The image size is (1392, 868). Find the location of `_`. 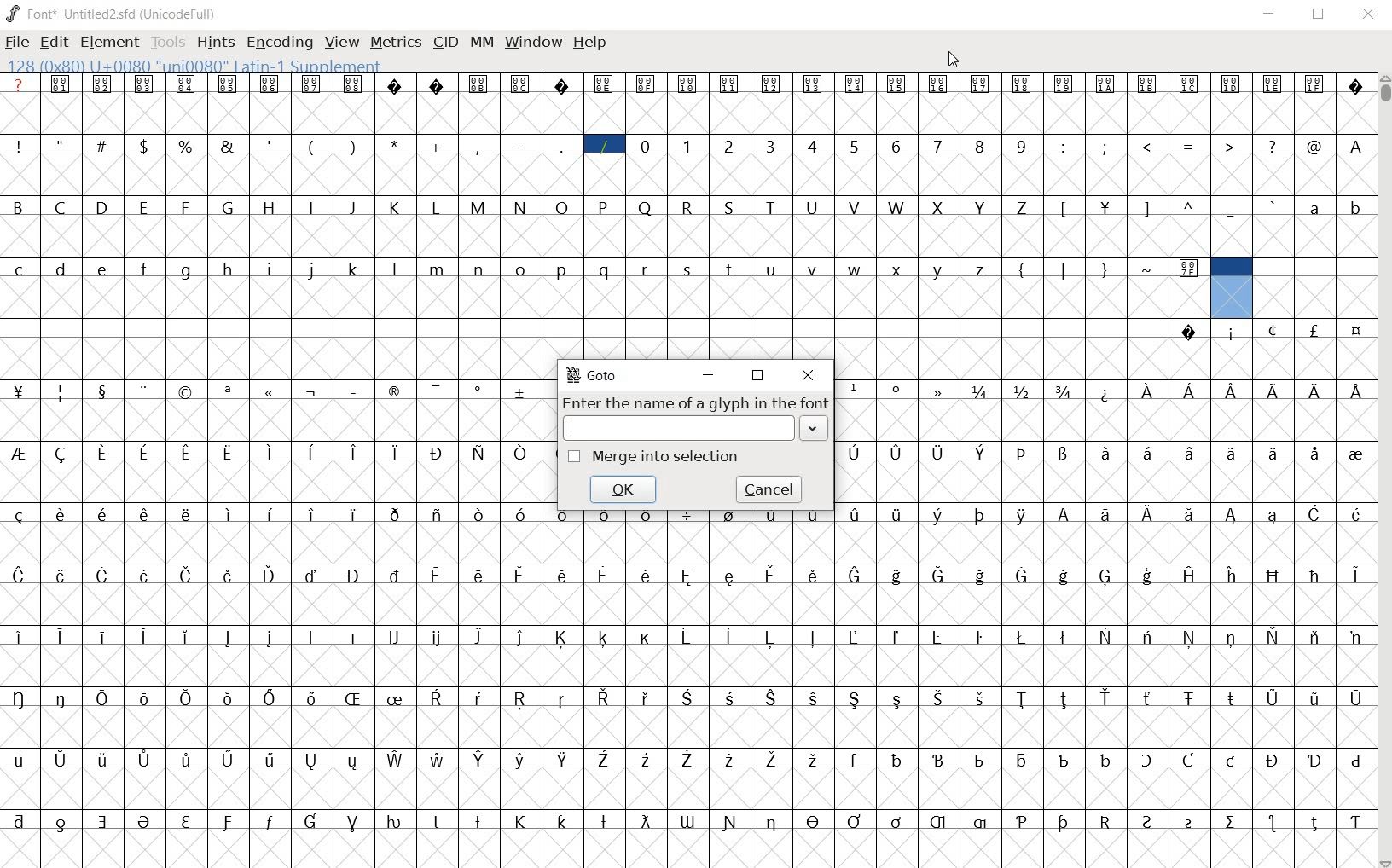

_ is located at coordinates (564, 146).